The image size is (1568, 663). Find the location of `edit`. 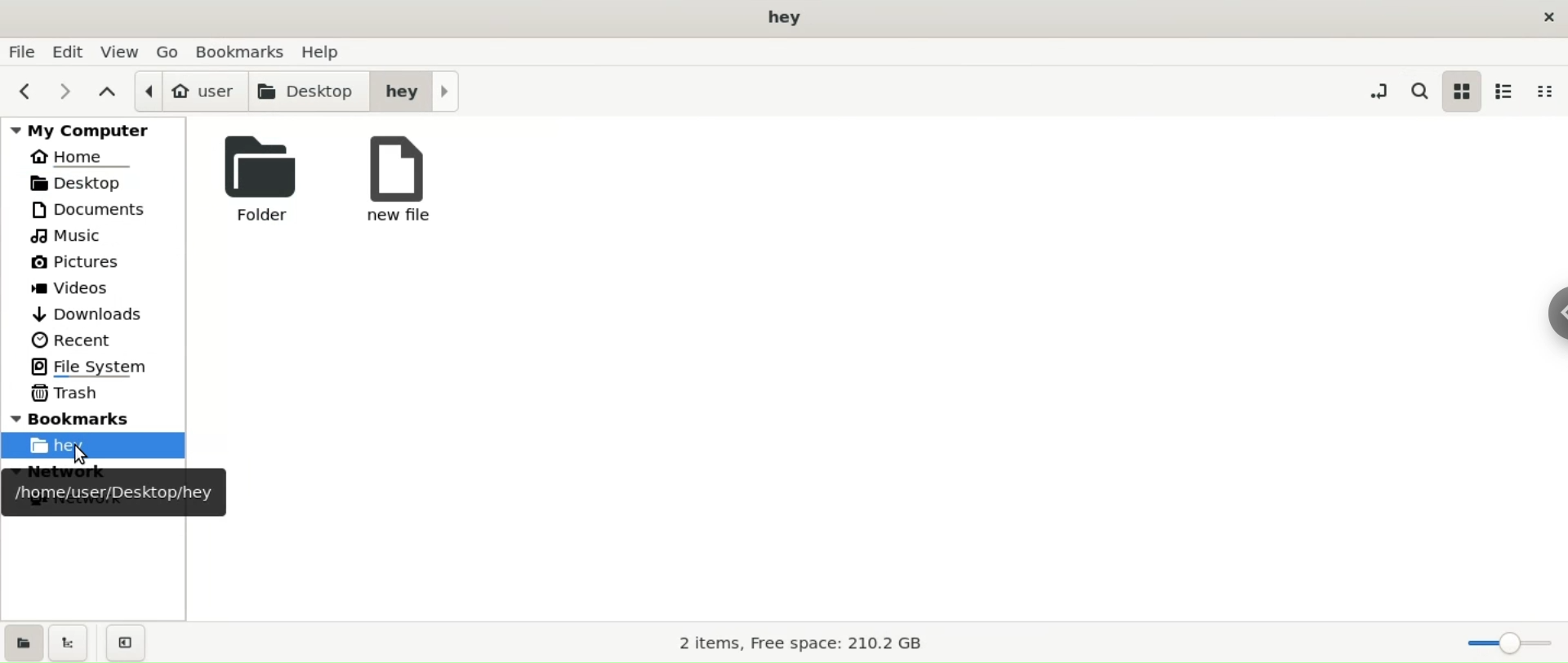

edit is located at coordinates (67, 53).